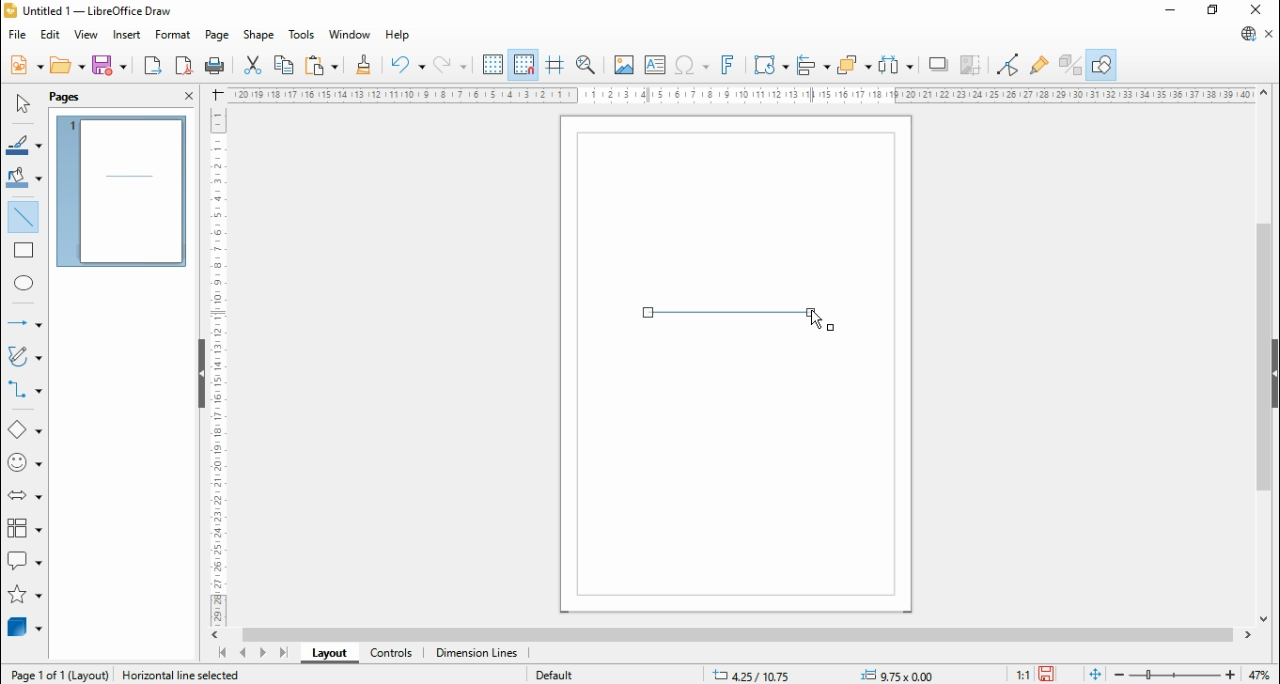 The width and height of the screenshot is (1280, 684). I want to click on controls, so click(391, 654).